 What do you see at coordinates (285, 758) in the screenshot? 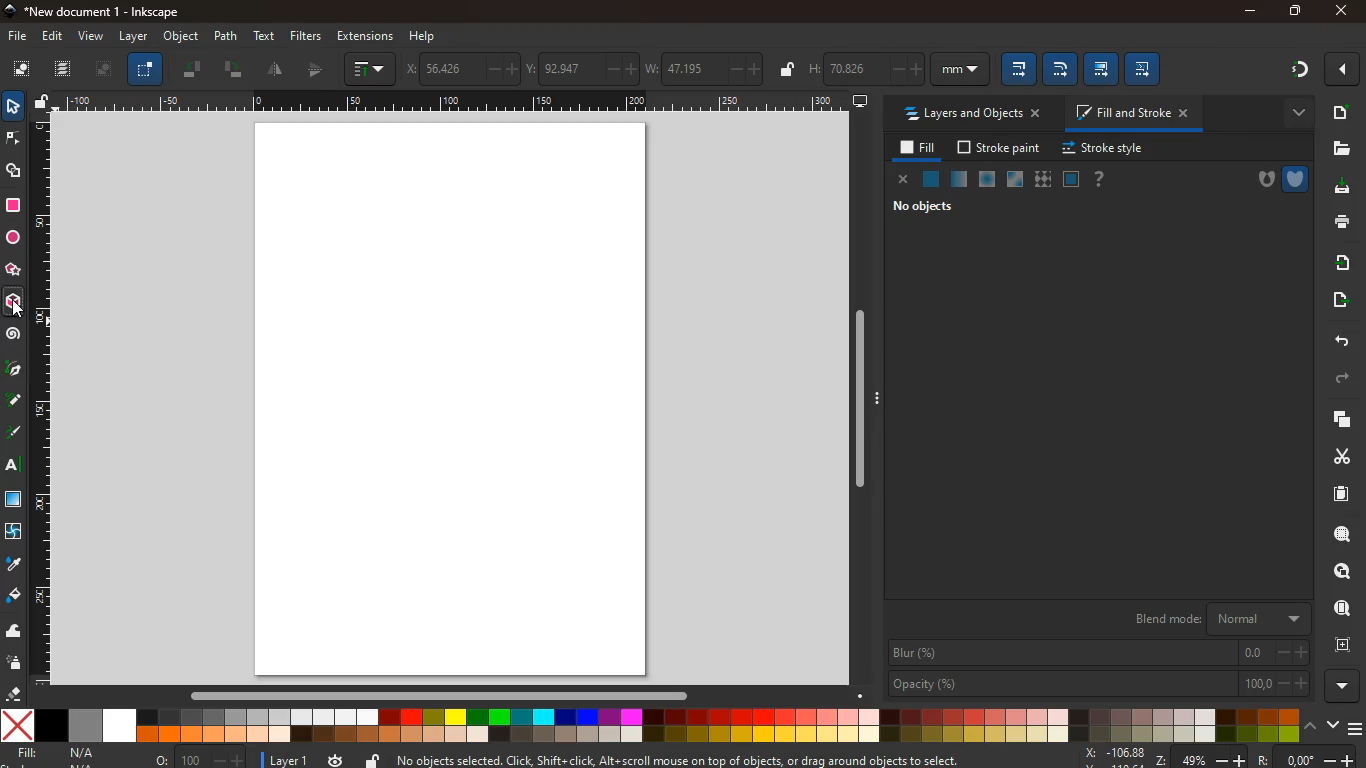
I see `layer` at bounding box center [285, 758].